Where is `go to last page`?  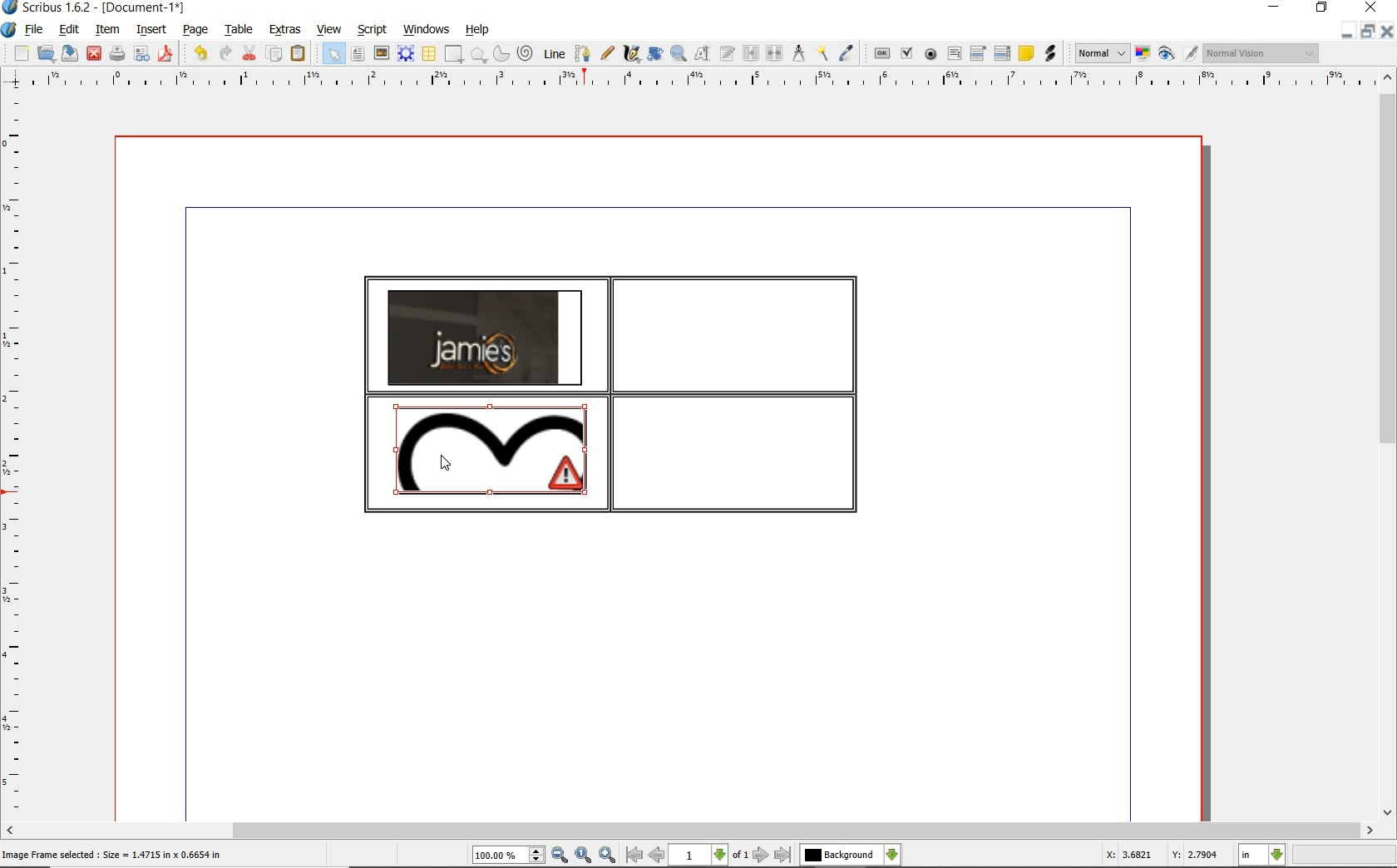 go to last page is located at coordinates (784, 855).